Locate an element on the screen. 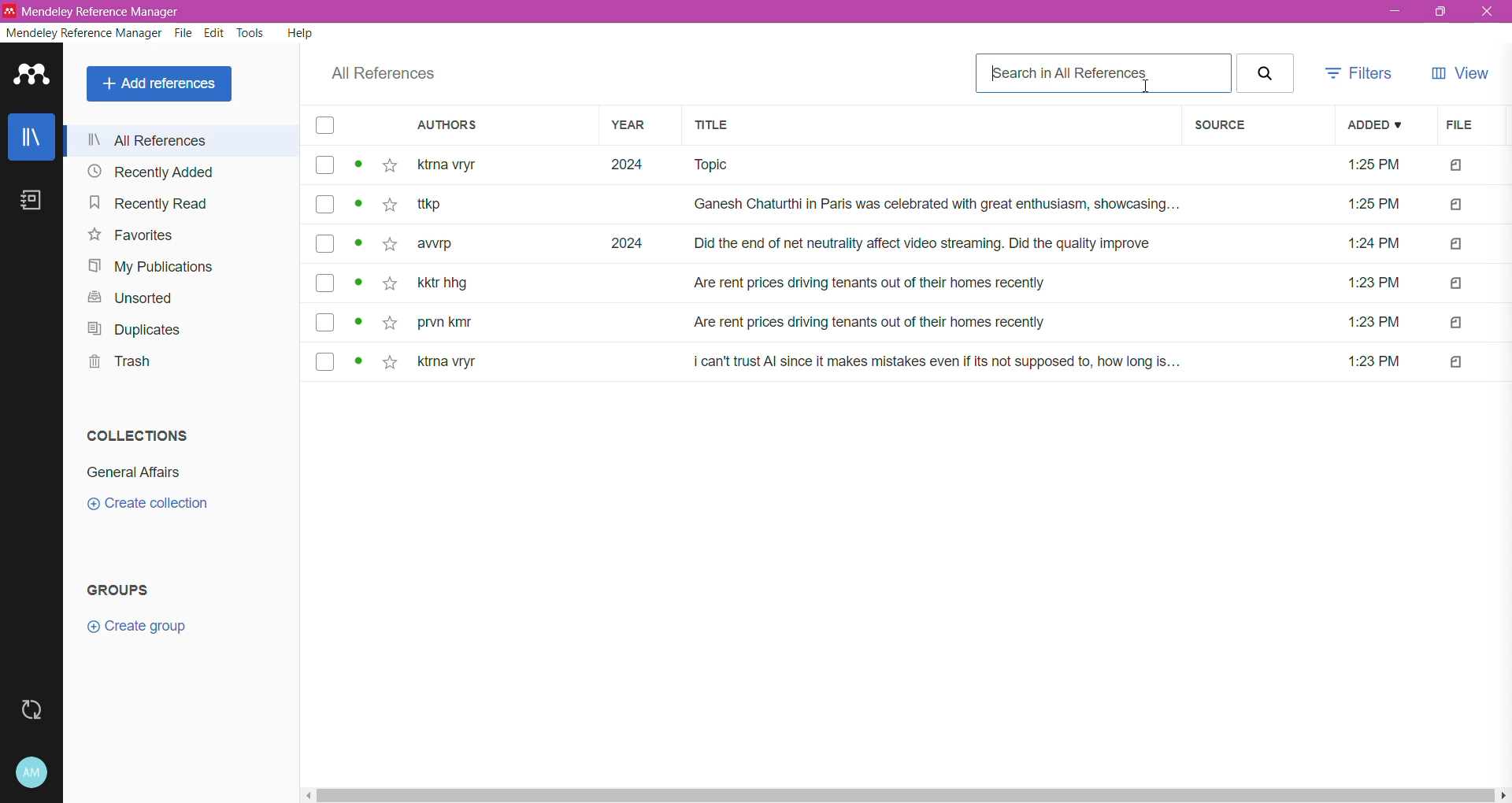 Image resolution: width=1512 pixels, height=803 pixels. Click to Create Collection is located at coordinates (153, 505).